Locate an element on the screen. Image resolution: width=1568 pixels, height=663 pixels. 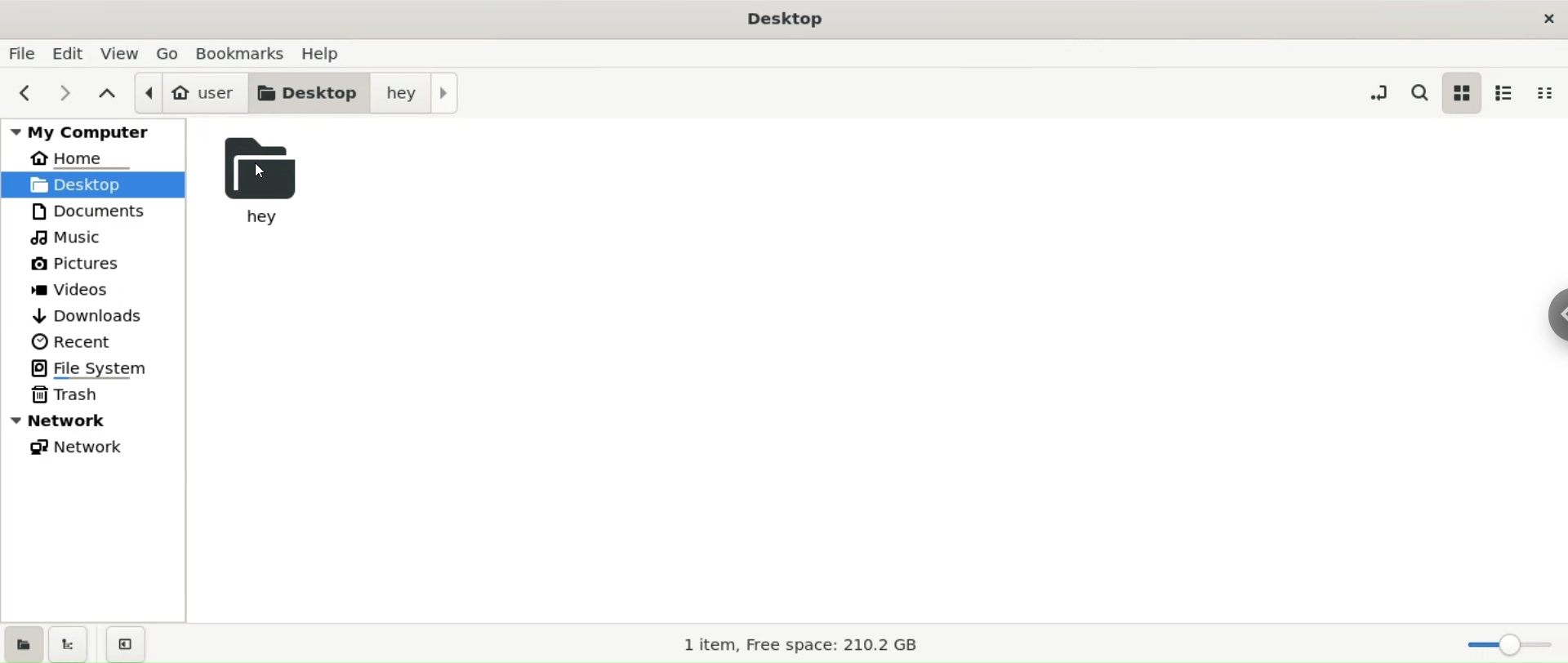
file system is located at coordinates (99, 368).